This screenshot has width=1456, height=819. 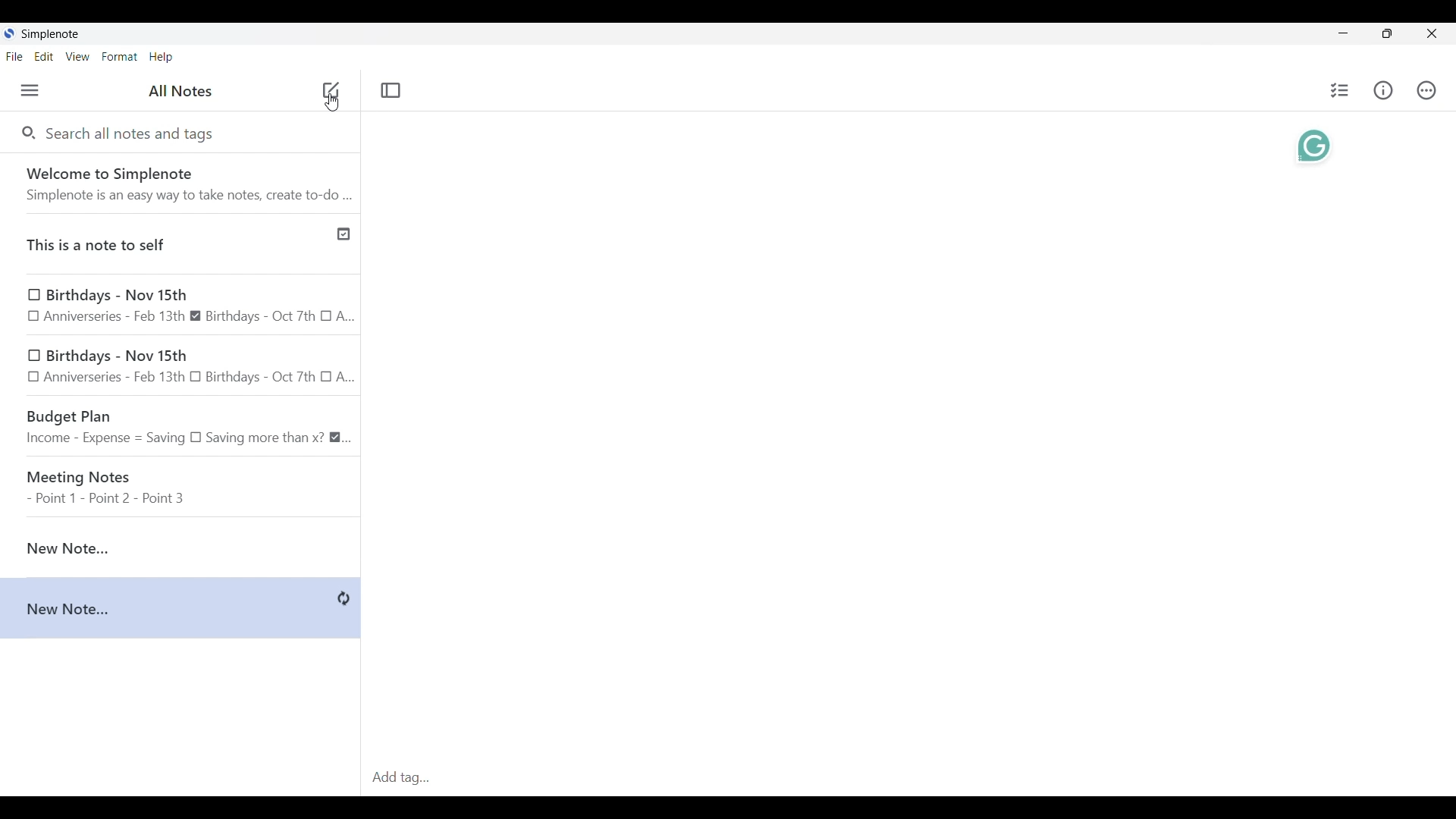 I want to click on New note added, so click(x=168, y=608).